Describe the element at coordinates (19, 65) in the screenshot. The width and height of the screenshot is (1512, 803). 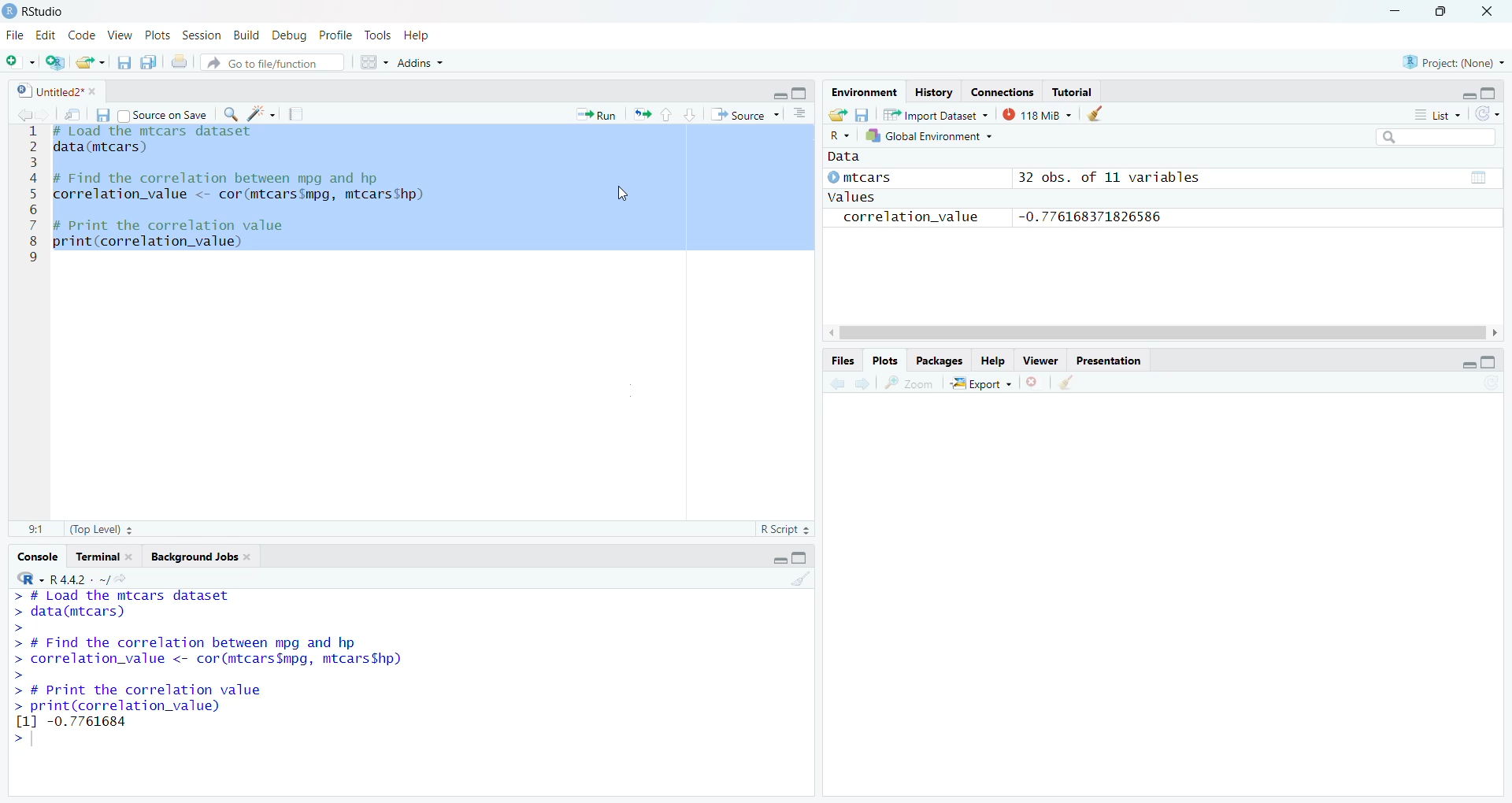
I see `New File` at that location.